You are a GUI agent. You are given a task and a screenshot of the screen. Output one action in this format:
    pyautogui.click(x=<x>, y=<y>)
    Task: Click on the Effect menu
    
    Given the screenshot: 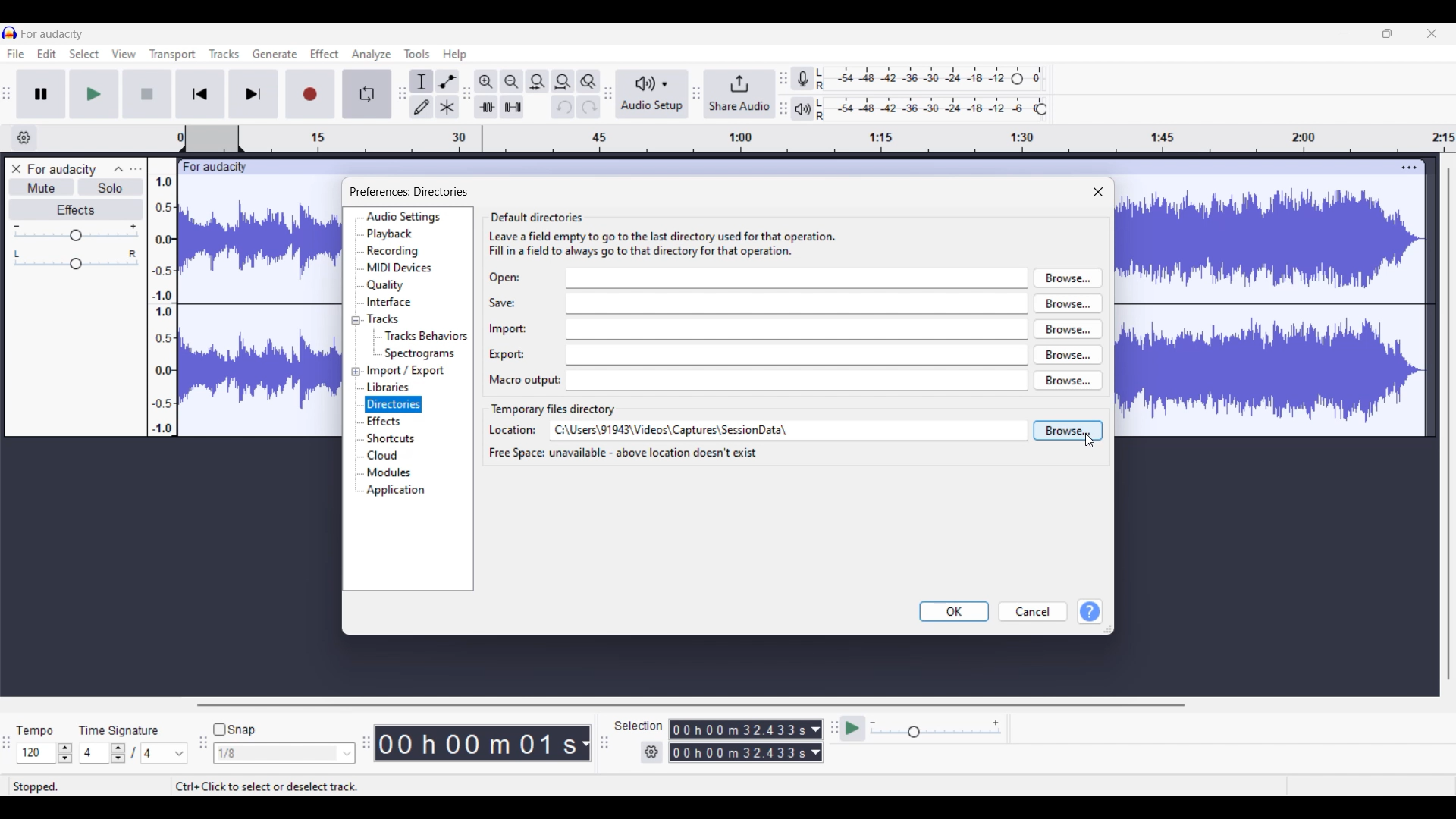 What is the action you would take?
    pyautogui.click(x=325, y=54)
    